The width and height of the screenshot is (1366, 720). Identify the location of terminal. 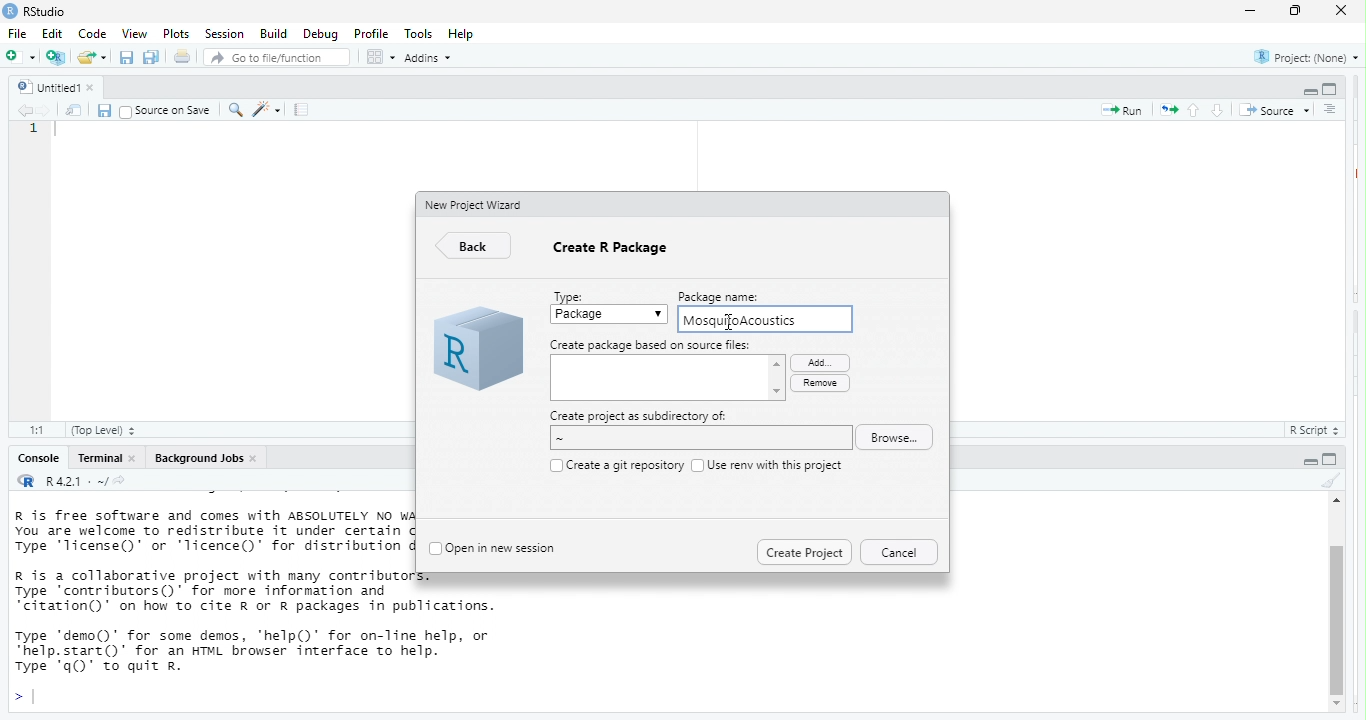
(100, 459).